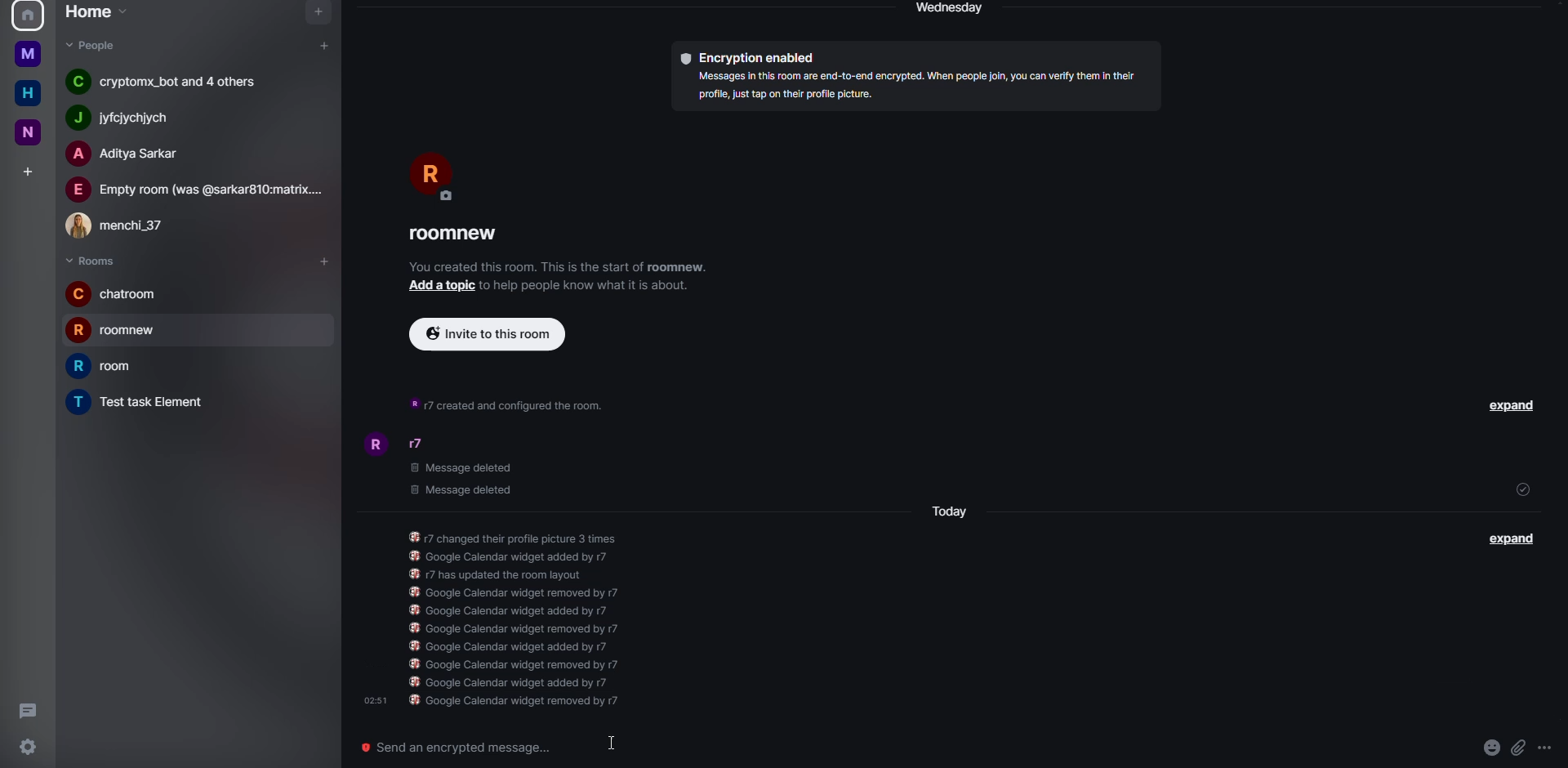 The image size is (1568, 768). What do you see at coordinates (1490, 748) in the screenshot?
I see `emoji` at bounding box center [1490, 748].